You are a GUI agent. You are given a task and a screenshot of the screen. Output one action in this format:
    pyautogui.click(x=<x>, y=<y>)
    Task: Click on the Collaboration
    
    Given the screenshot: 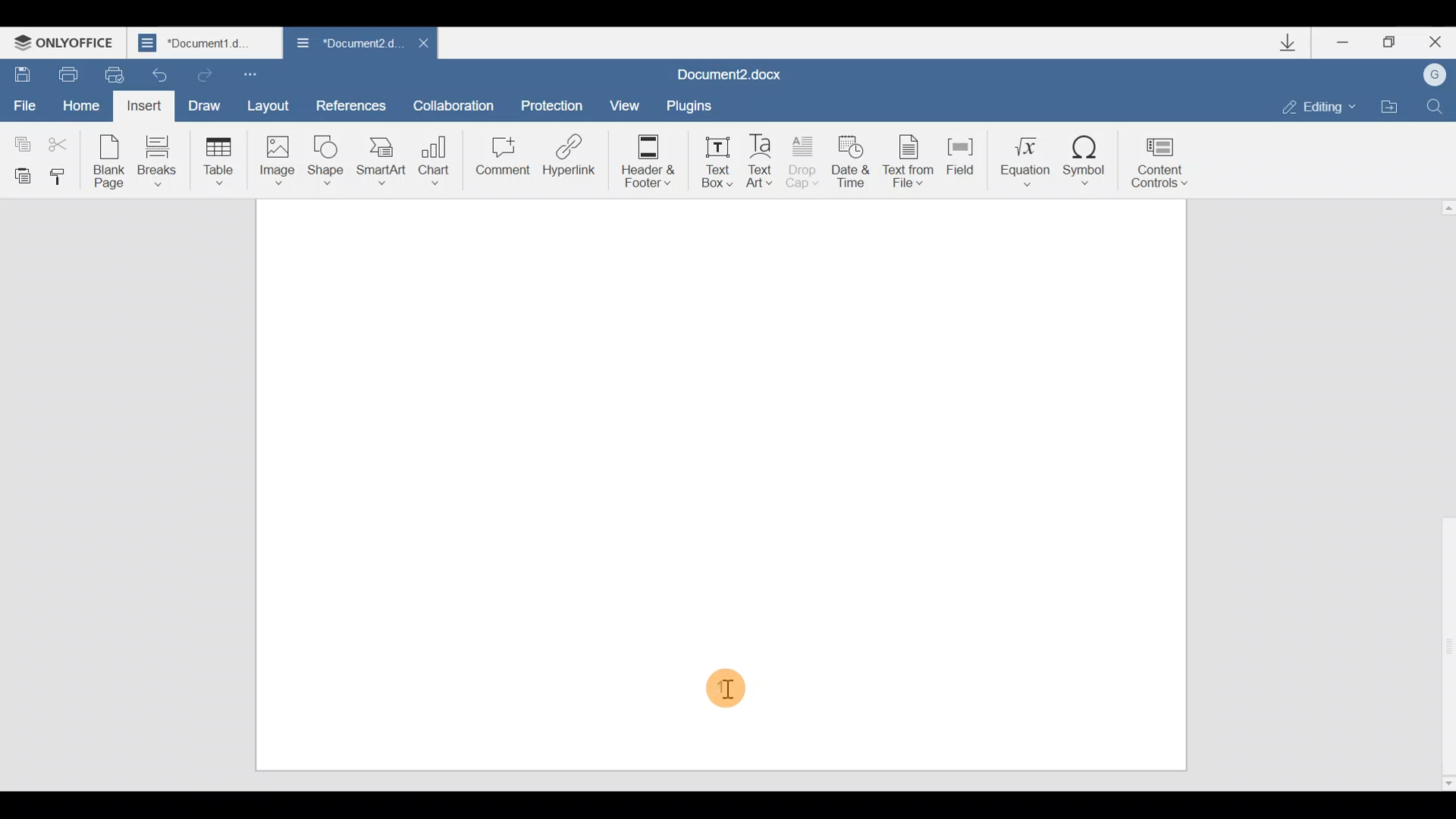 What is the action you would take?
    pyautogui.click(x=459, y=104)
    